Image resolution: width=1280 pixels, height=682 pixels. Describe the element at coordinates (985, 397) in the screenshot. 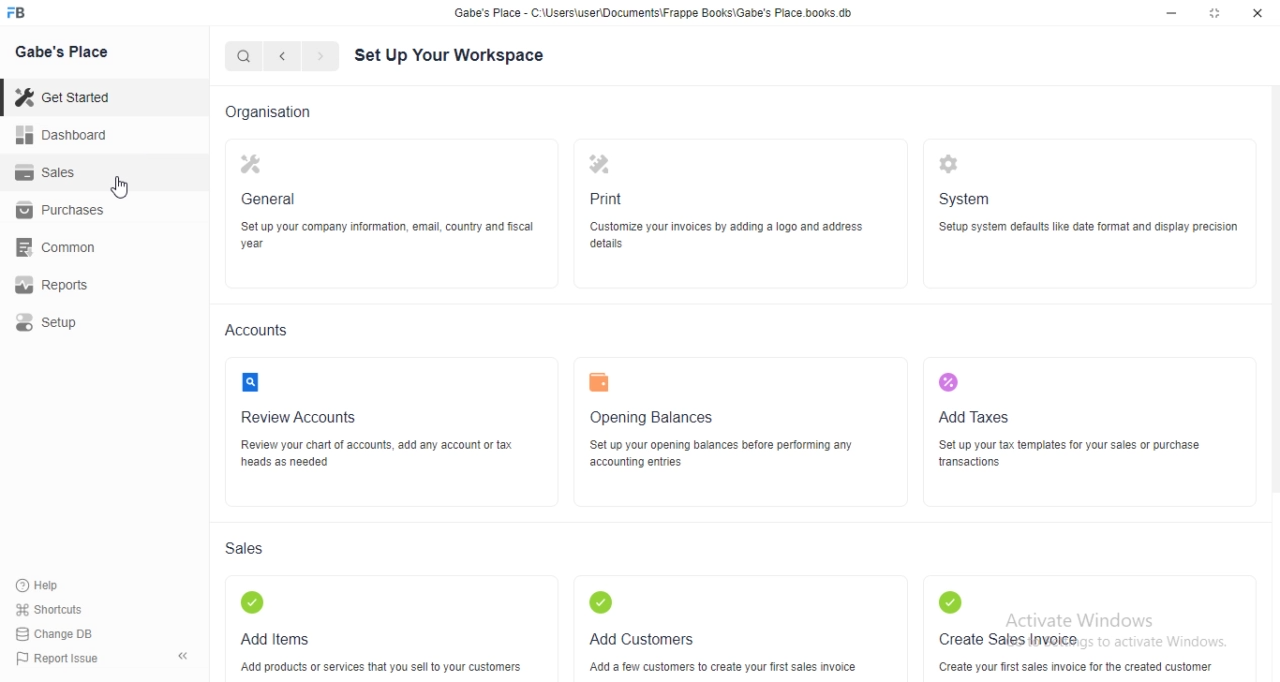

I see `Add Taxes` at that location.